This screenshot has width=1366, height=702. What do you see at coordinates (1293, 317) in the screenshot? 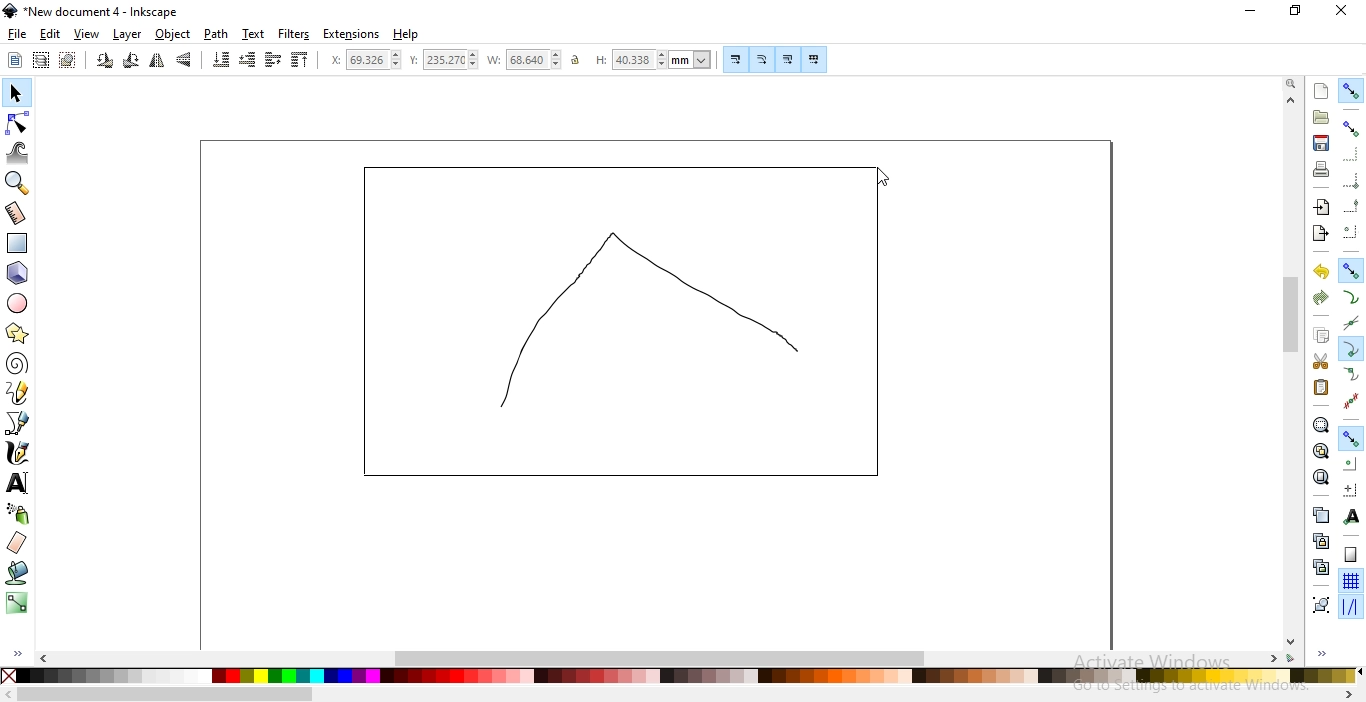
I see `scrollbar` at bounding box center [1293, 317].